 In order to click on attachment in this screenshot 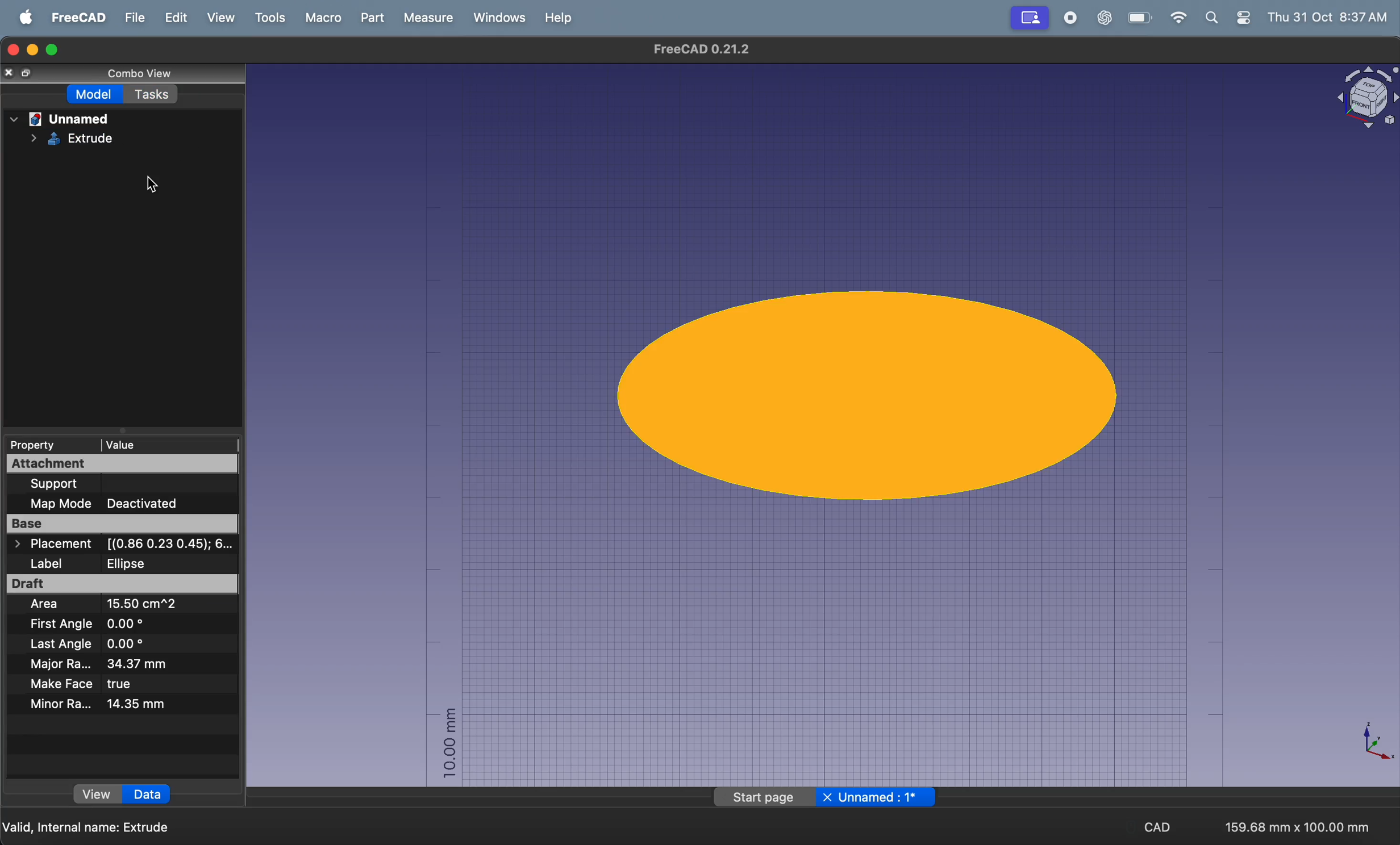, I will do `click(118, 463)`.